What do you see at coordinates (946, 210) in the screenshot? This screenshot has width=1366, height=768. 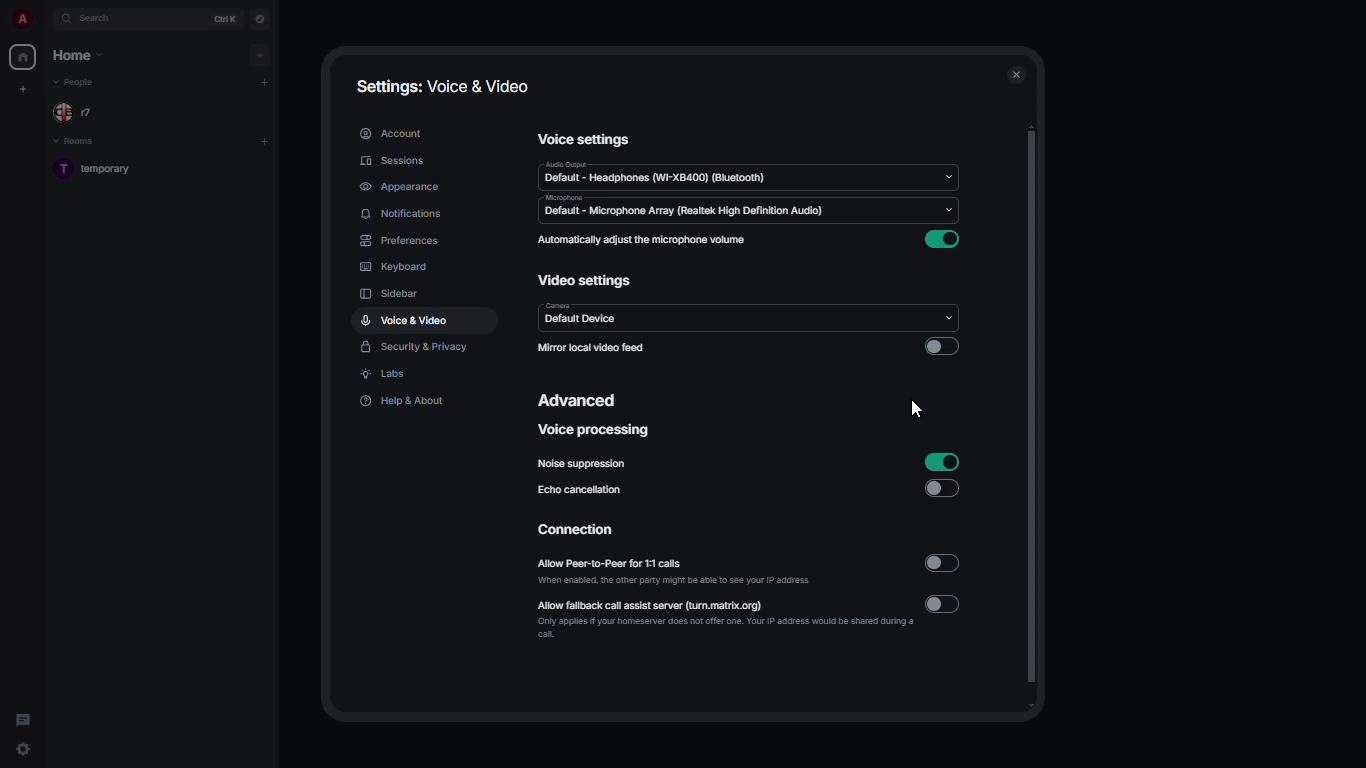 I see `drop down` at bounding box center [946, 210].